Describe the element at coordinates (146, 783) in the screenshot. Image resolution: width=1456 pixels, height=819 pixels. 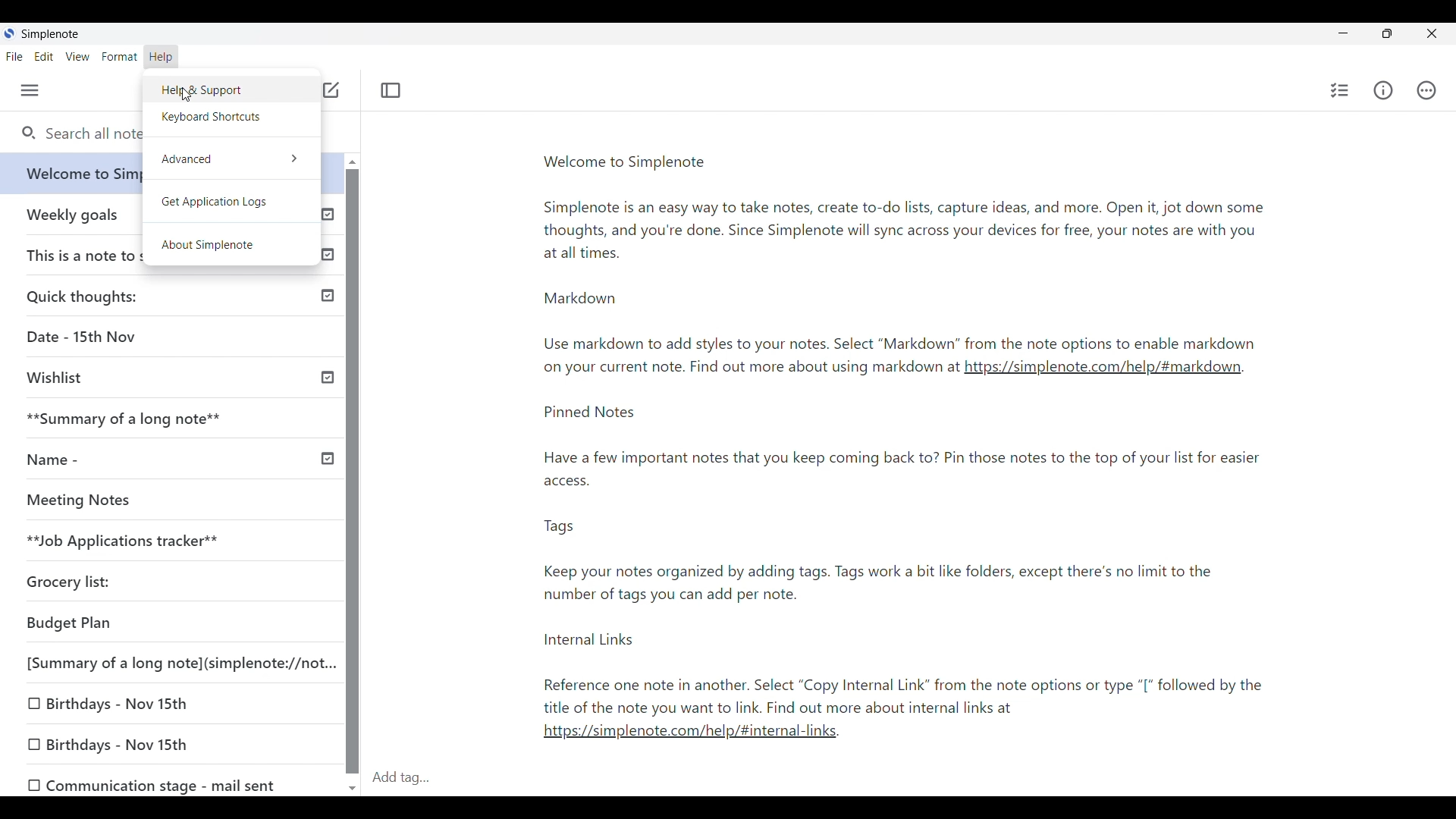
I see `OO Communication stage - mail sent` at that location.